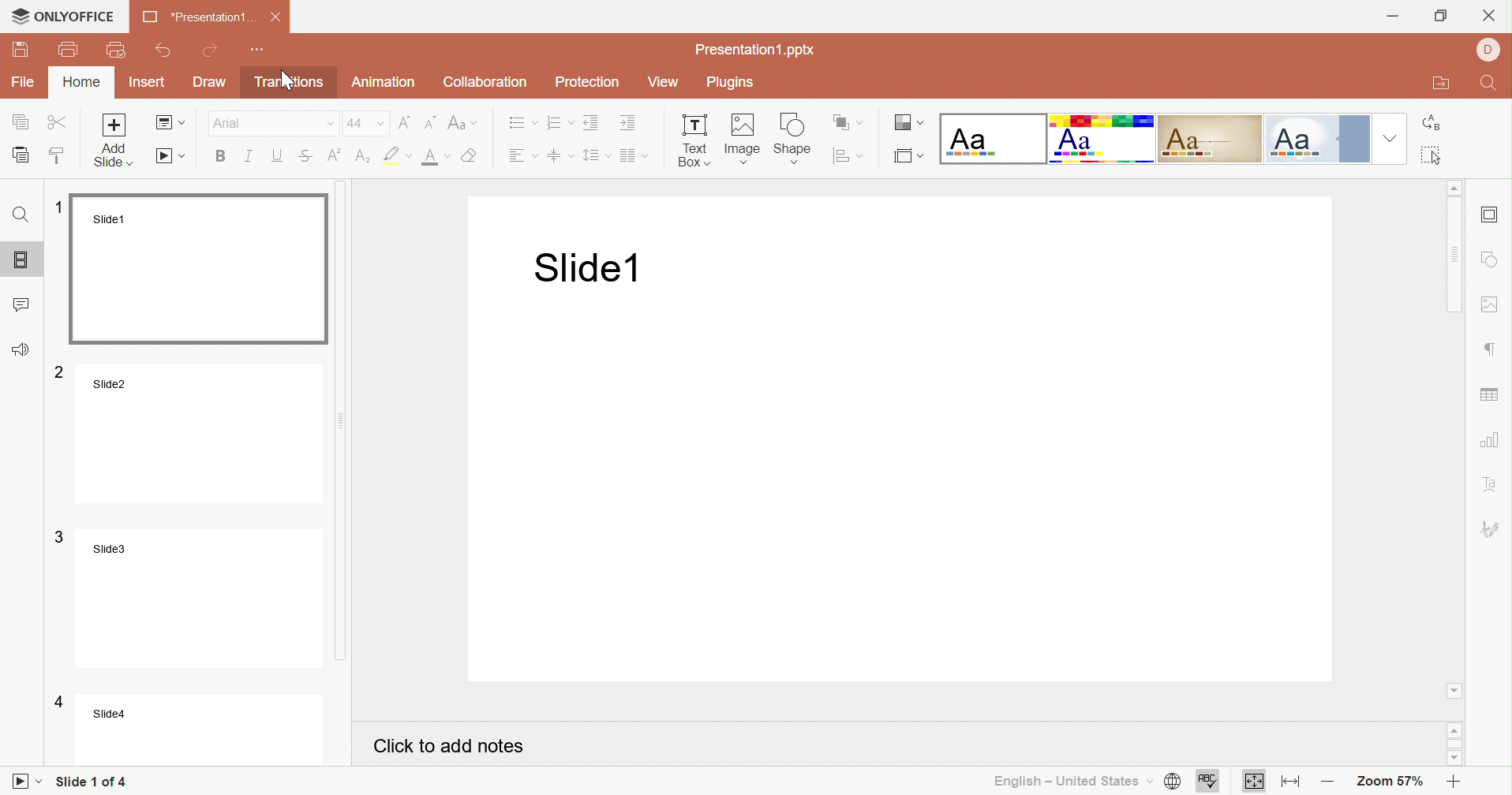  Describe the element at coordinates (166, 47) in the screenshot. I see `Undo` at that location.